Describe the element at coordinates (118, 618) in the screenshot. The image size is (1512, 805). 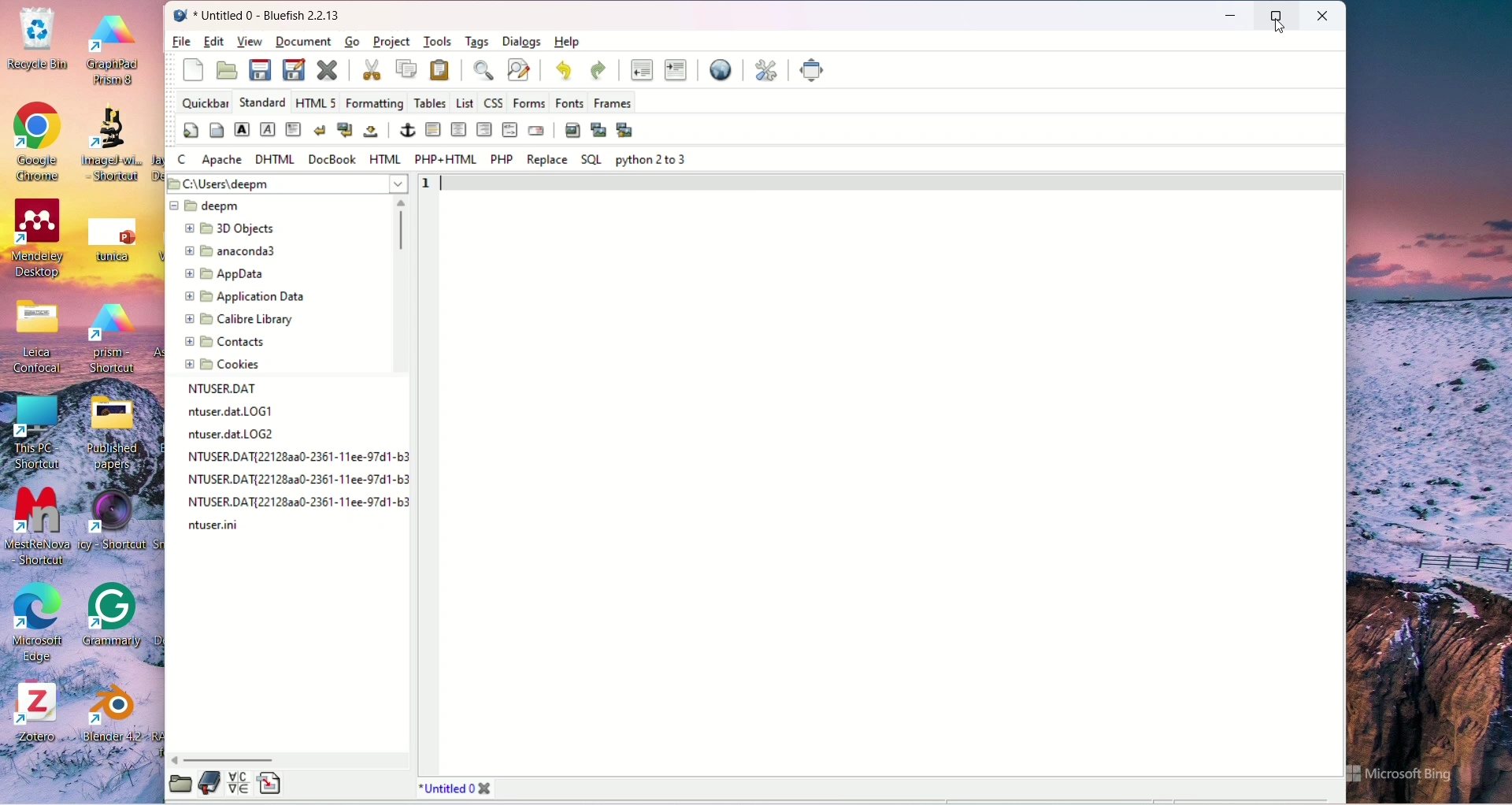
I see `grammarly` at that location.